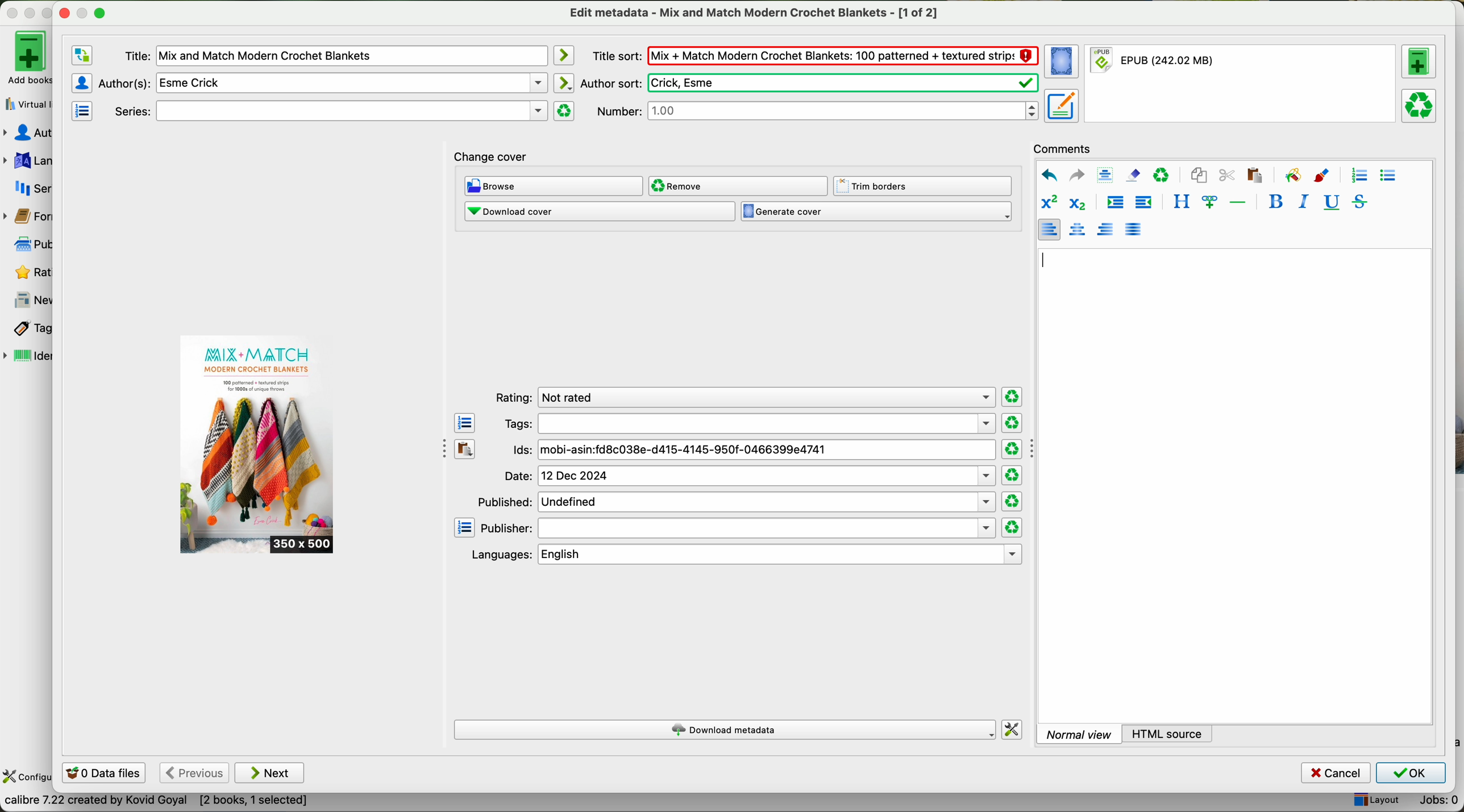 The image size is (1464, 812). Describe the element at coordinates (328, 111) in the screenshot. I see `series` at that location.